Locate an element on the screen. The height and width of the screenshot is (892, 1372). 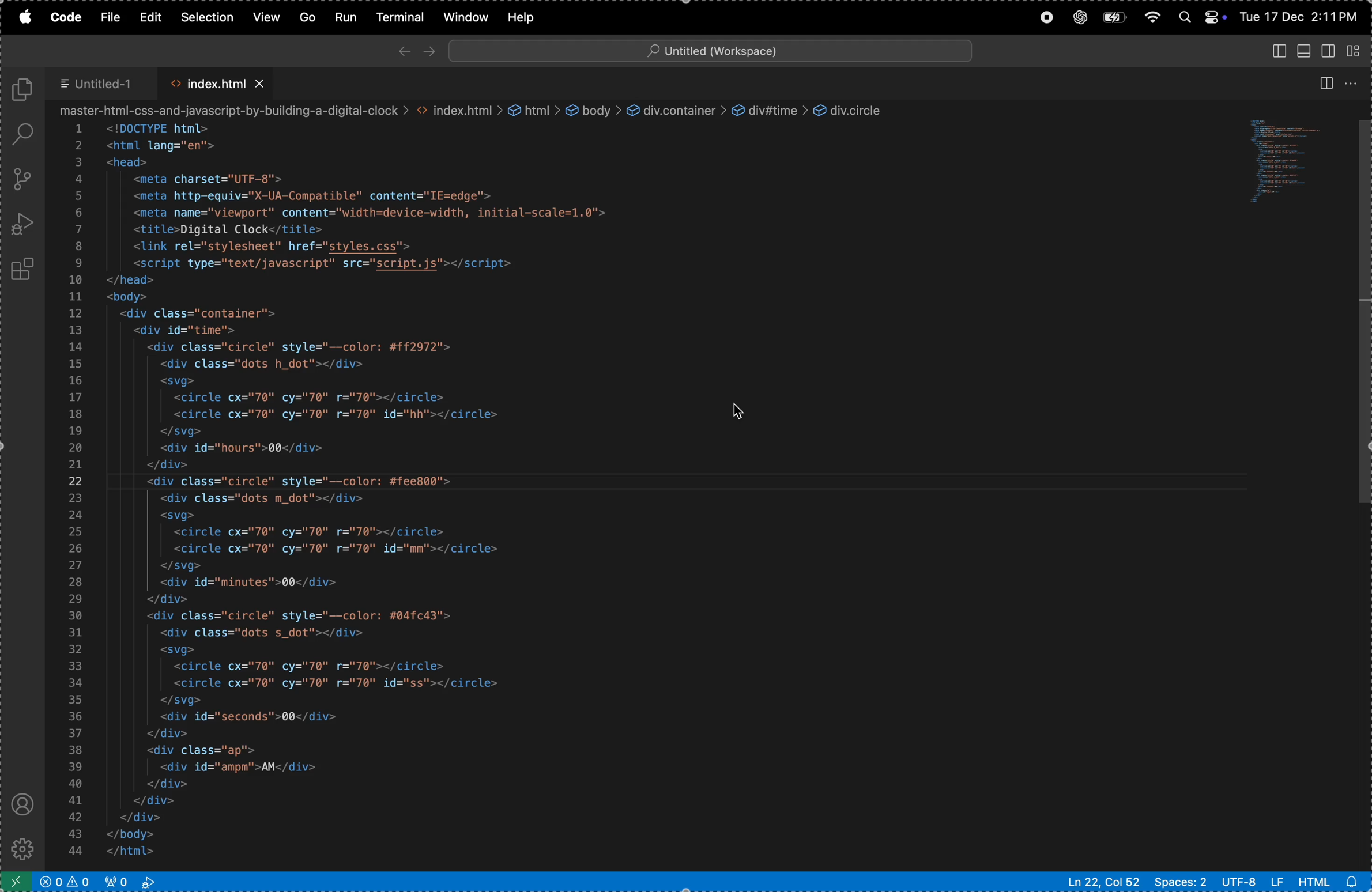
window is located at coordinates (466, 17).